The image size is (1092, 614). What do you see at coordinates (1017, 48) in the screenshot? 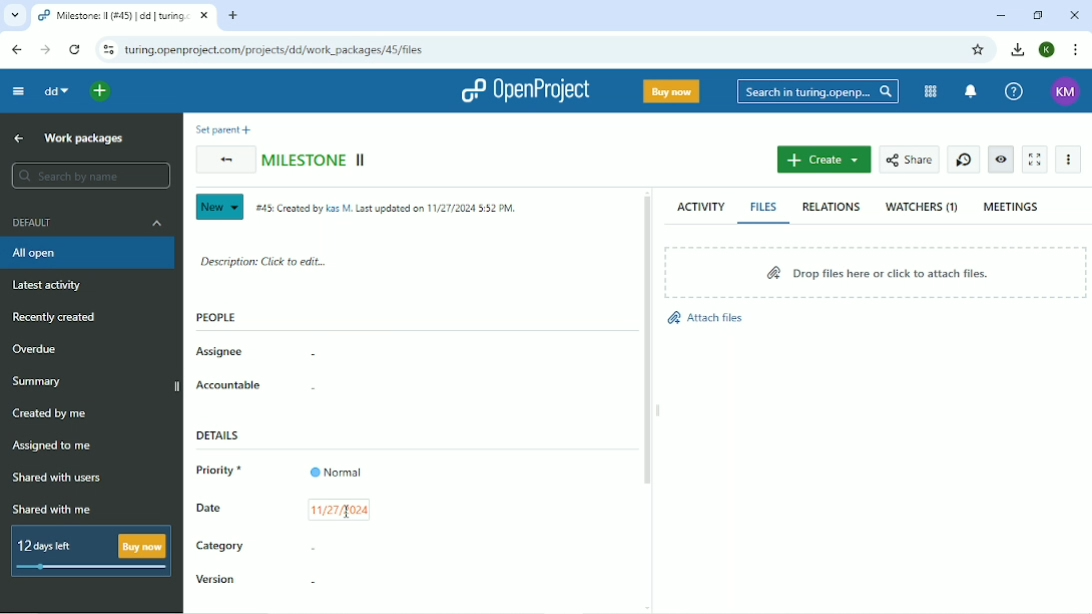
I see `Downloads` at bounding box center [1017, 48].